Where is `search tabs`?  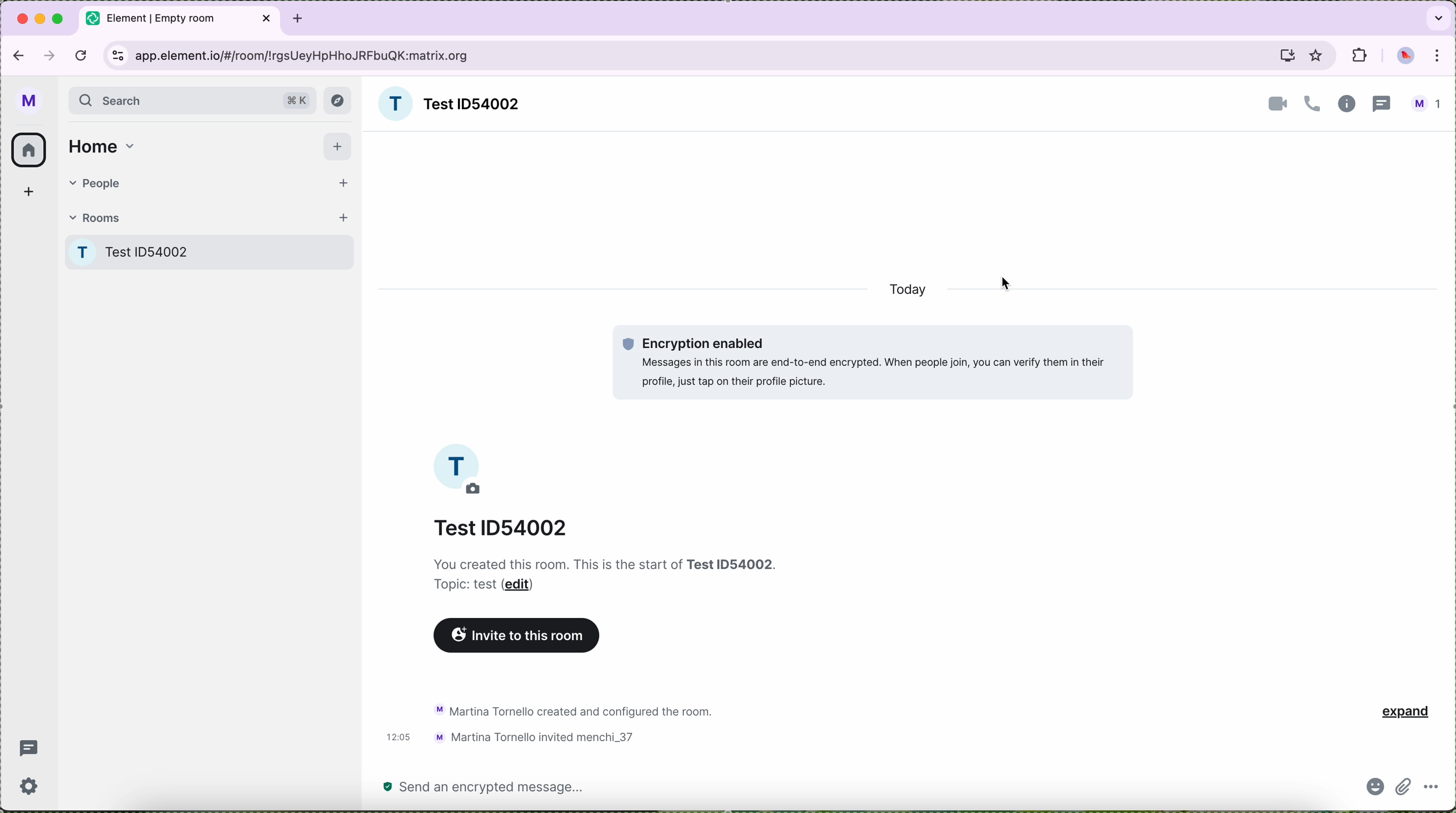
search tabs is located at coordinates (1435, 18).